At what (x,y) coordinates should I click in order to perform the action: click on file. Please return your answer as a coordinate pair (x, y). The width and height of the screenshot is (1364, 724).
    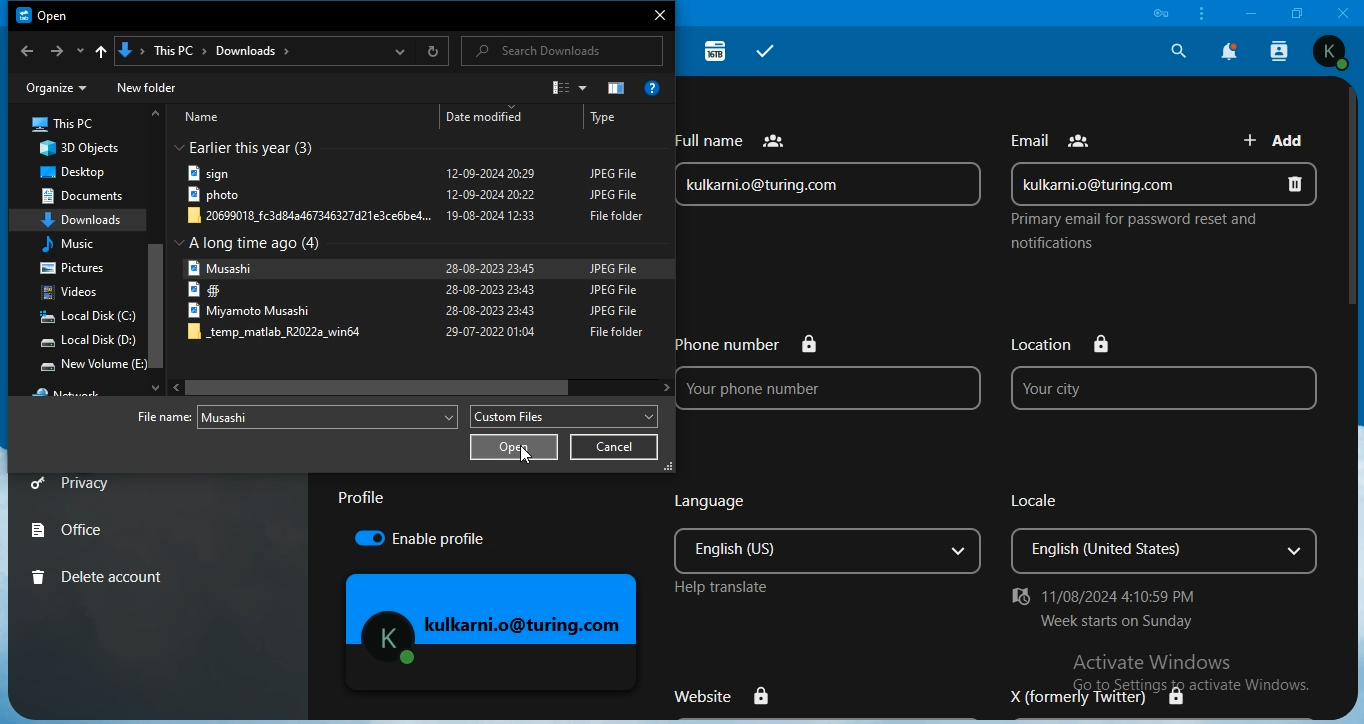
    Looking at the image, I should click on (419, 334).